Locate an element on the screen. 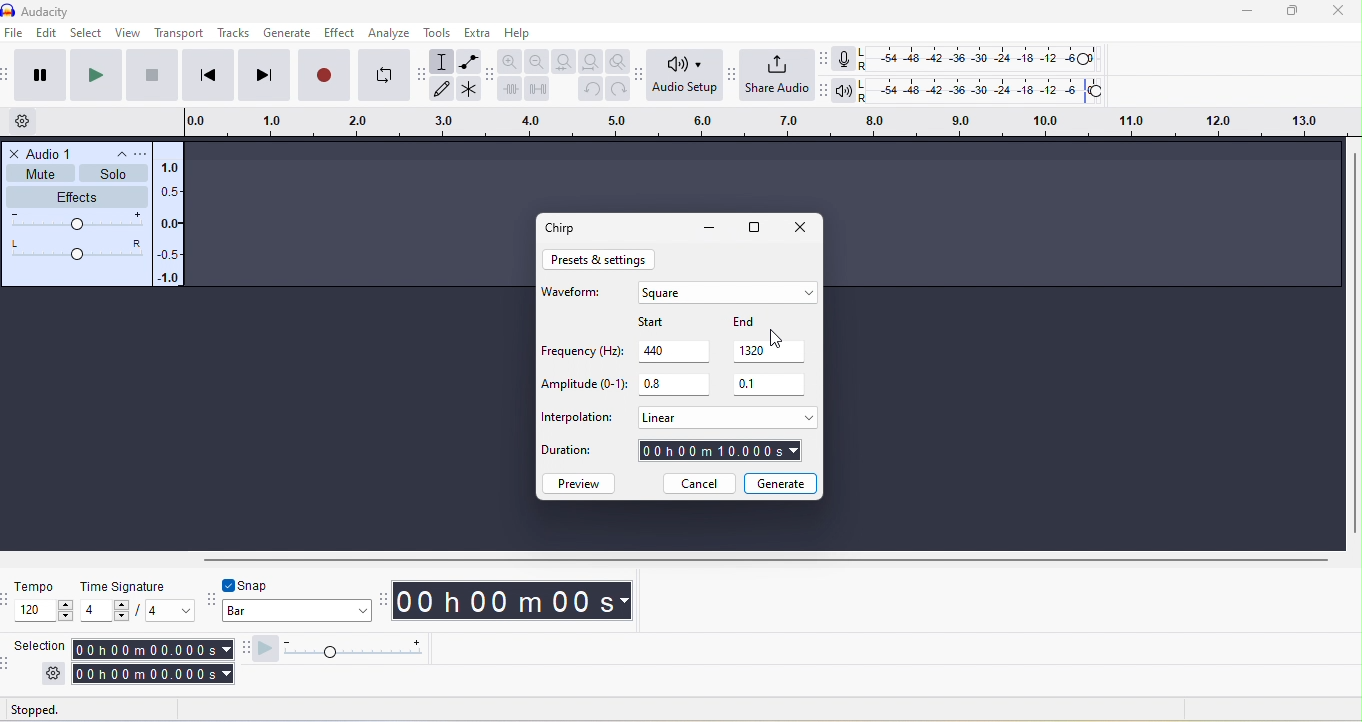 The image size is (1362, 722). snap is located at coordinates (264, 584).